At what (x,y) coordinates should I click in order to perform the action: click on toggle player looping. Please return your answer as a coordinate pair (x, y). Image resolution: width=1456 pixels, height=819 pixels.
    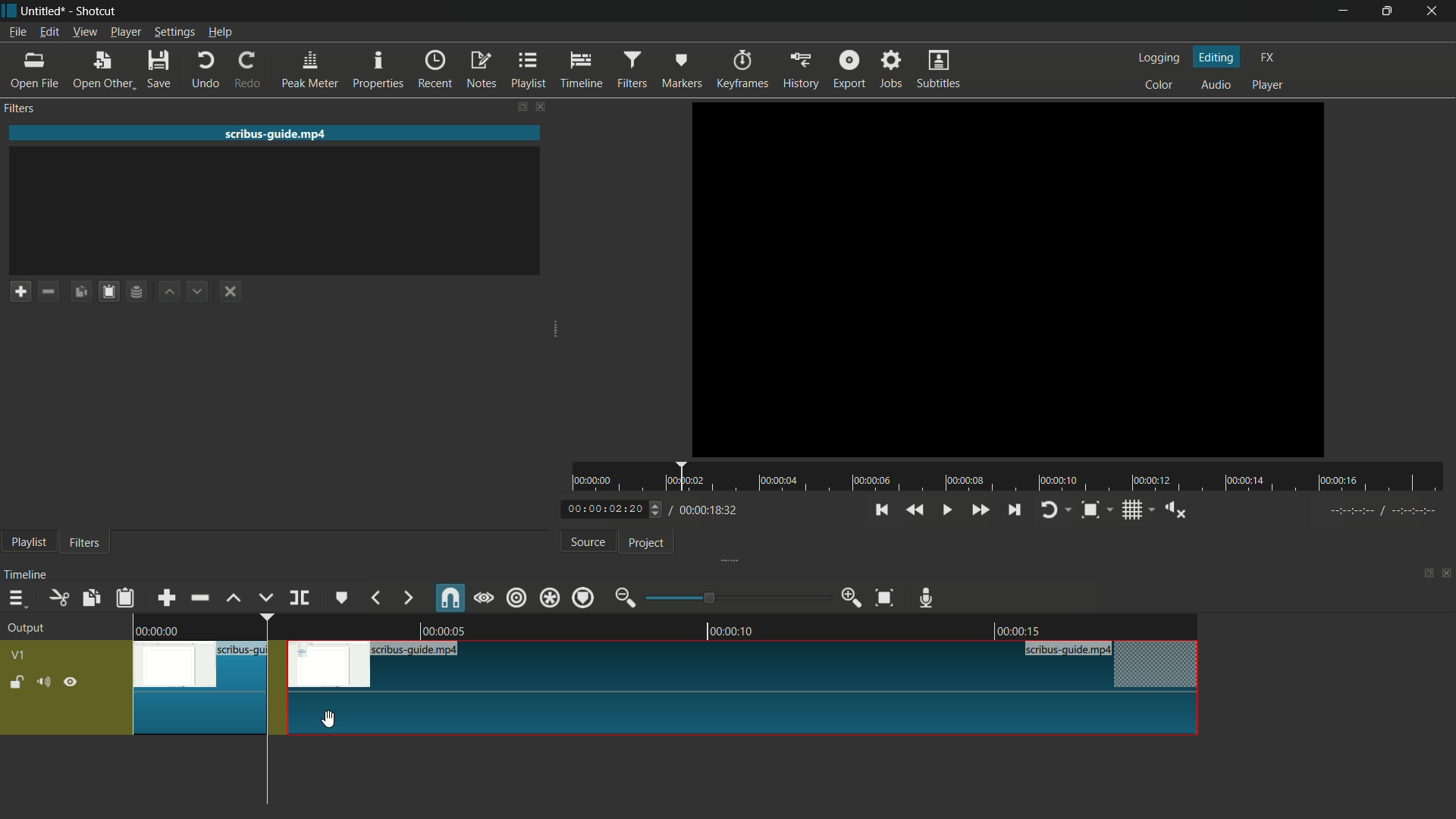
    Looking at the image, I should click on (1050, 510).